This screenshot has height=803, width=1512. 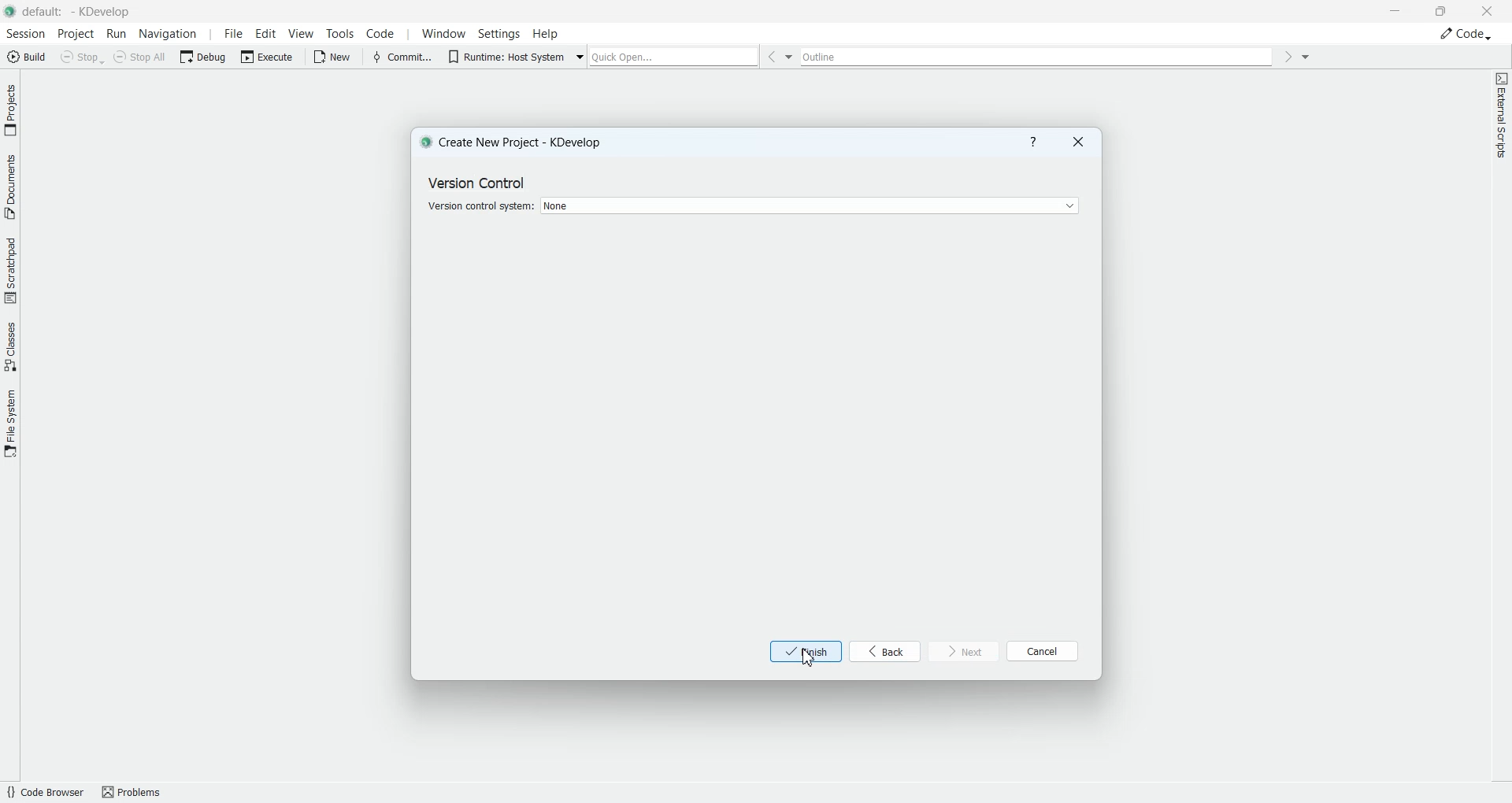 What do you see at coordinates (44, 792) in the screenshot?
I see `Code Browser` at bounding box center [44, 792].